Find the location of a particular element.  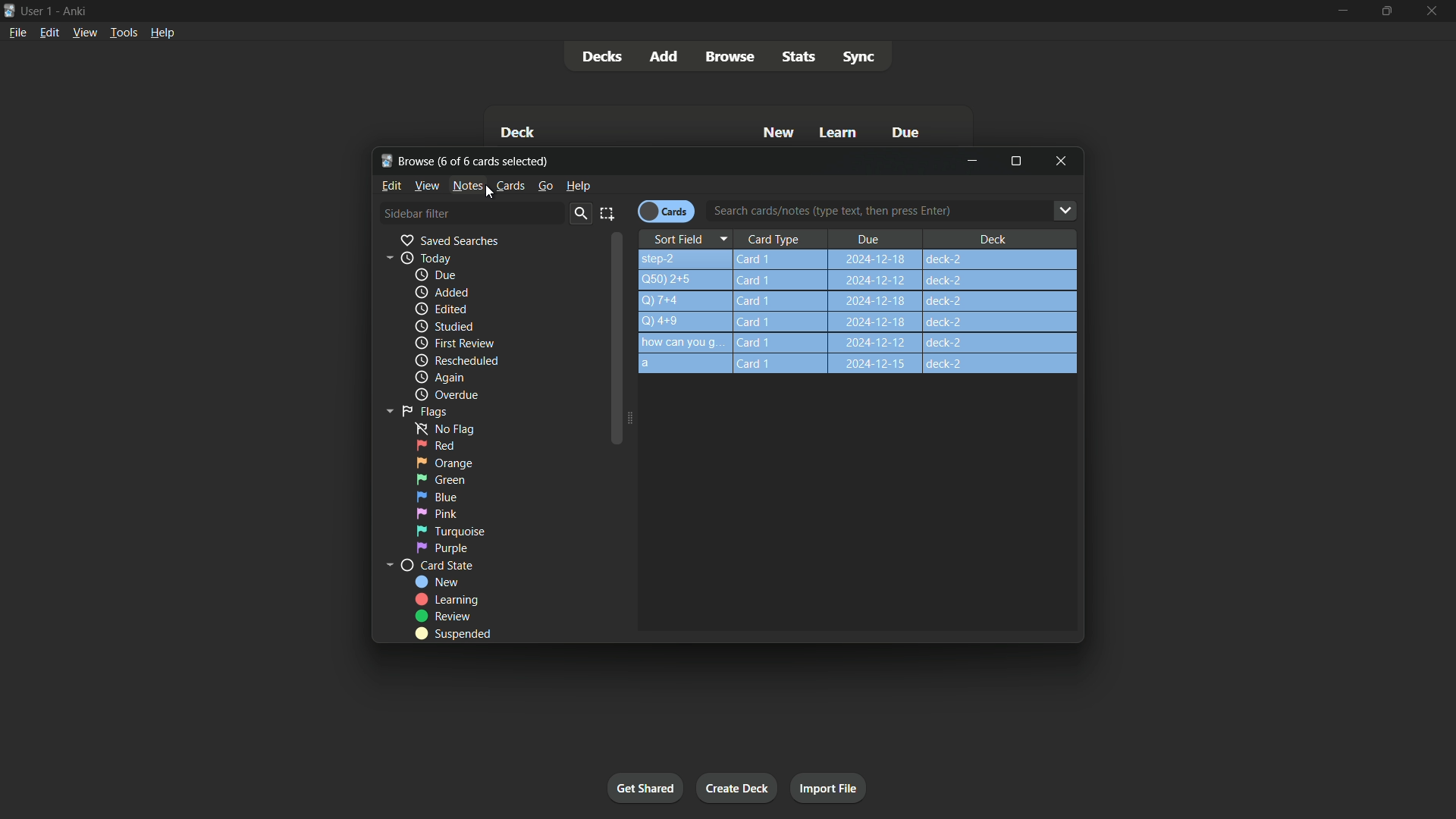

help is located at coordinates (578, 185).